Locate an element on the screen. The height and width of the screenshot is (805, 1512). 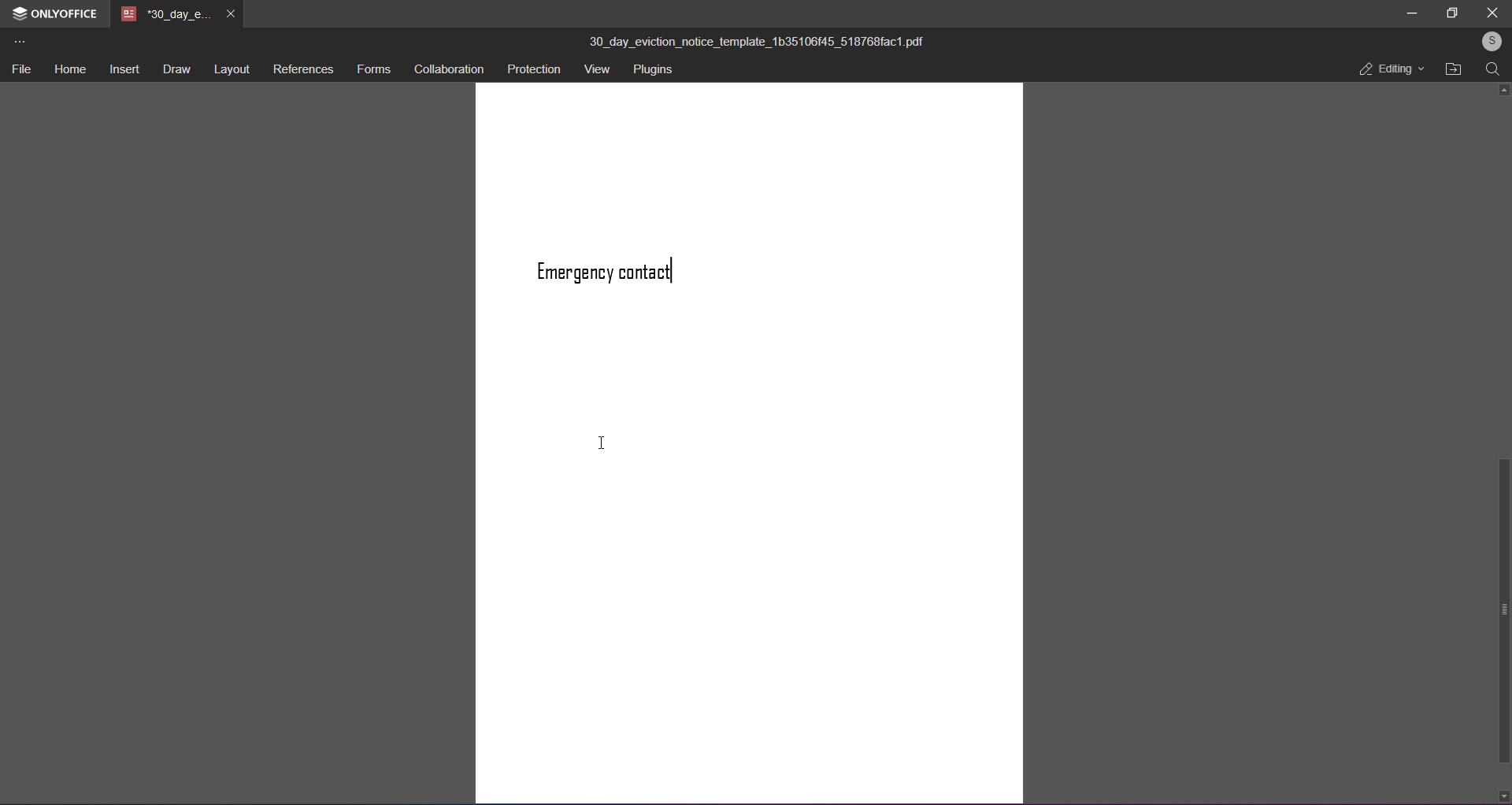
collaboration is located at coordinates (451, 70).